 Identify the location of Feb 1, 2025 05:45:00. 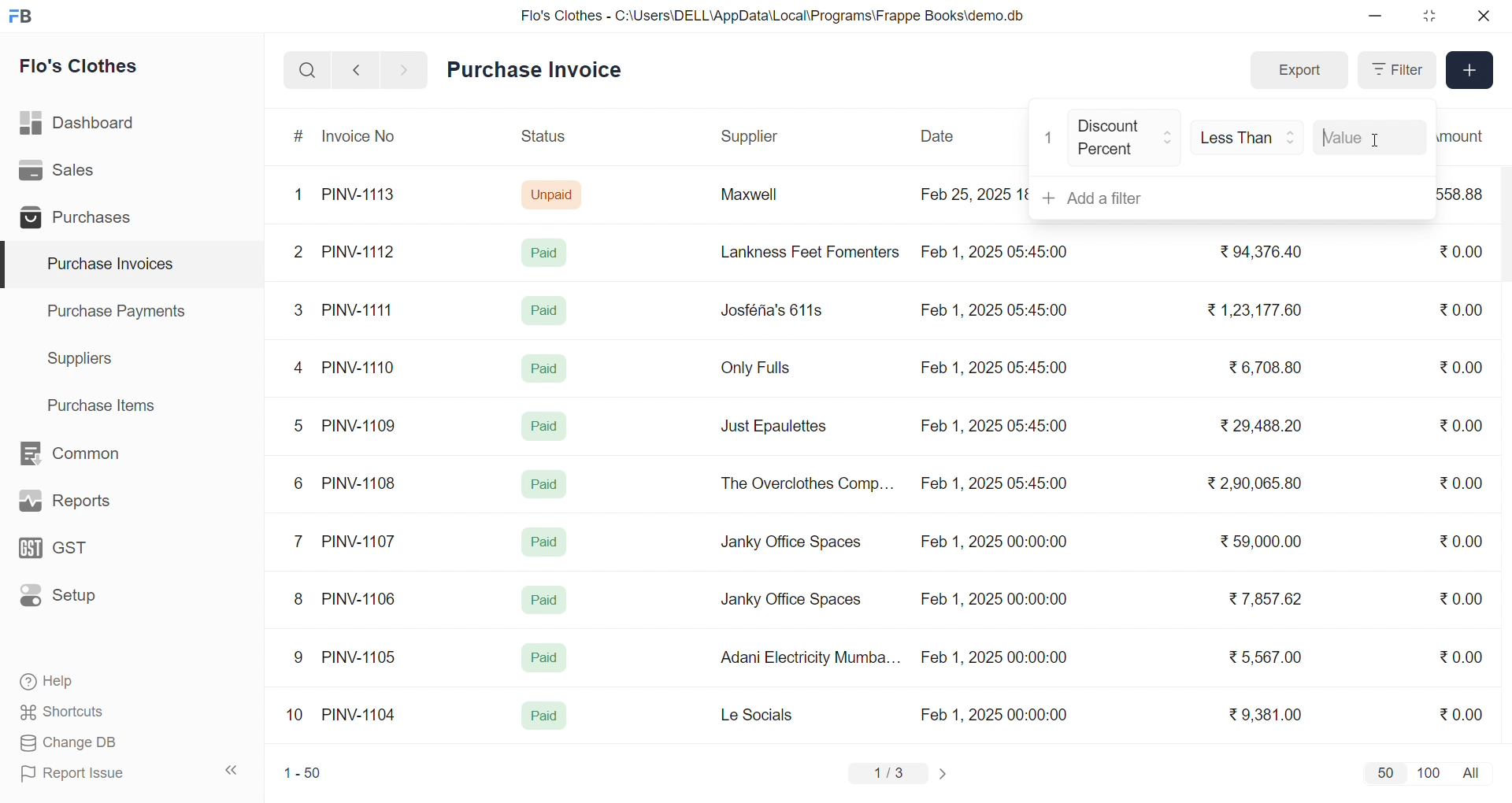
(996, 485).